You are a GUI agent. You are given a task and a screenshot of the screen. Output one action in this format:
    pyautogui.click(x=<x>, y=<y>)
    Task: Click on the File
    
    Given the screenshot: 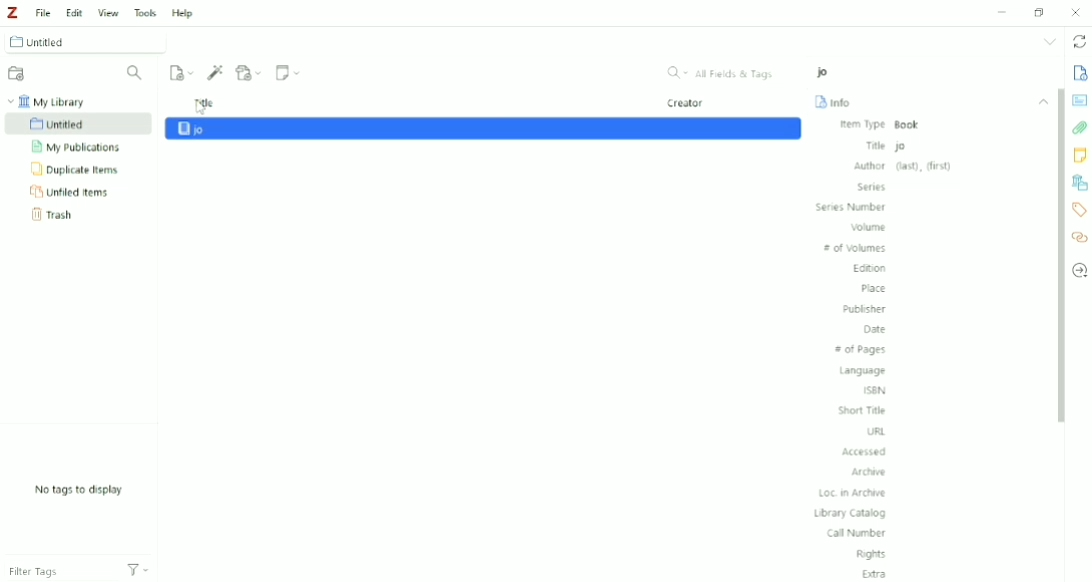 What is the action you would take?
    pyautogui.click(x=42, y=12)
    